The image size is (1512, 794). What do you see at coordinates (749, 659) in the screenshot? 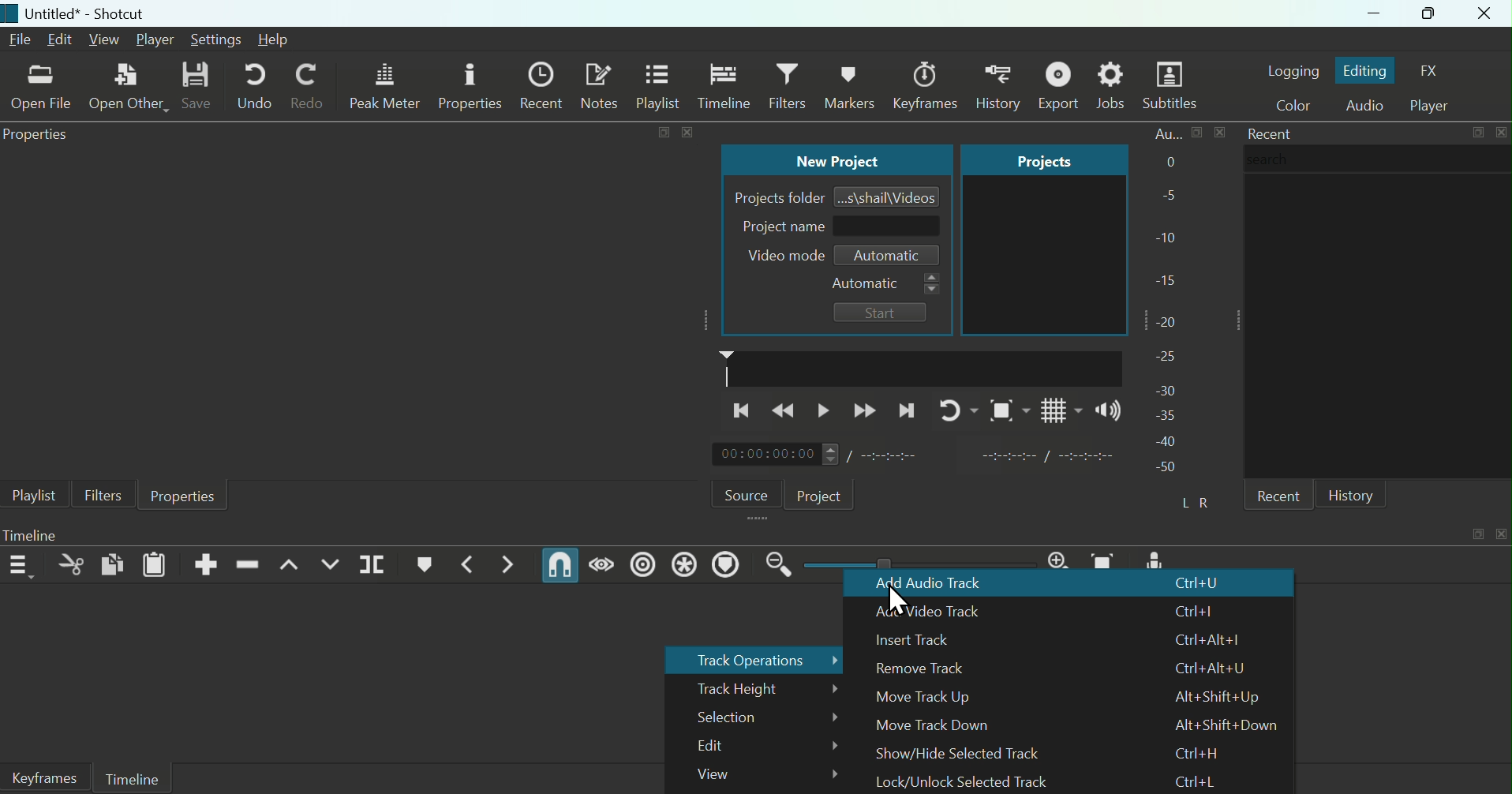
I see `Track Operators` at bounding box center [749, 659].